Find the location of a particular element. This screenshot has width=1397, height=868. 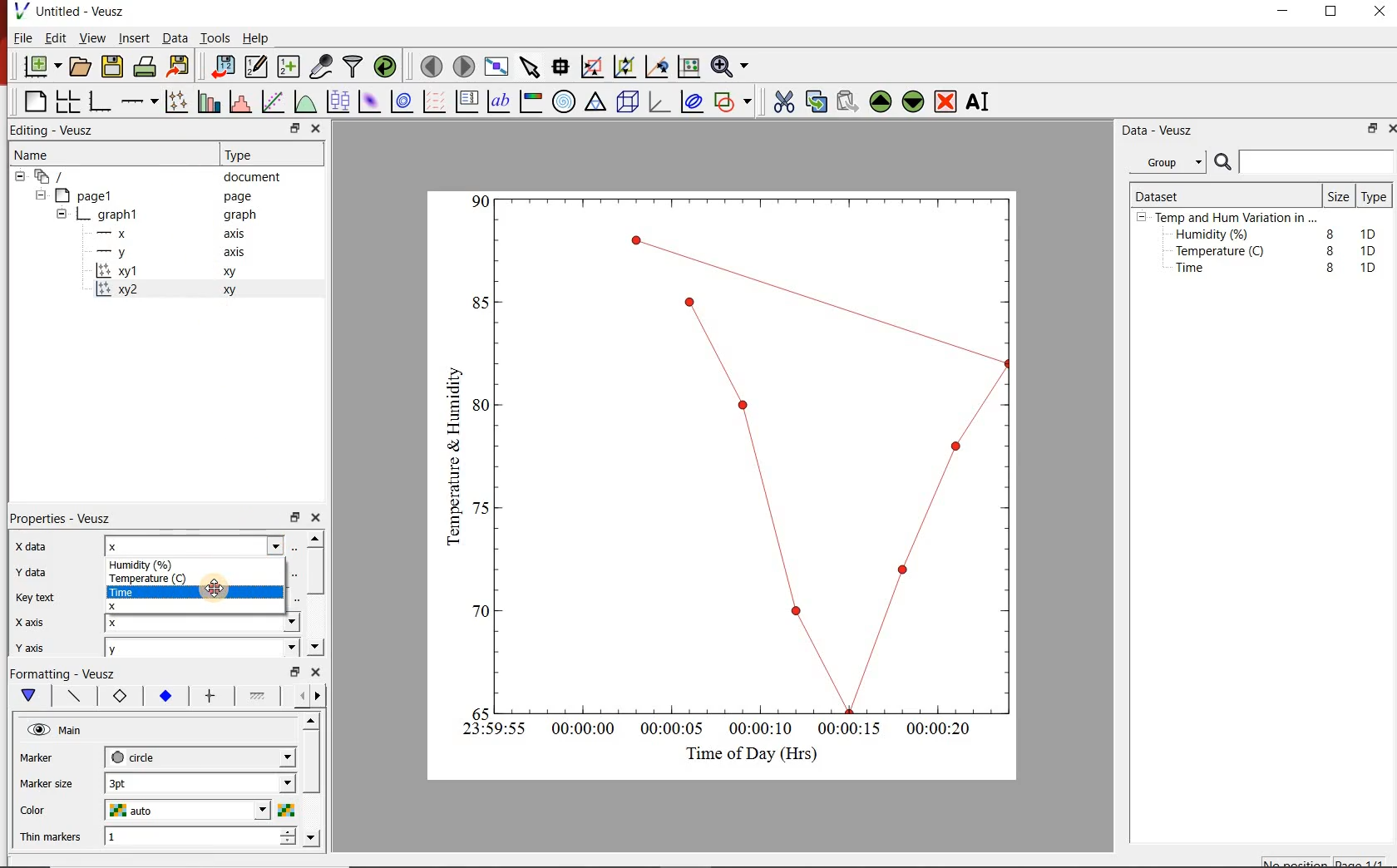

document is located at coordinates (258, 177).